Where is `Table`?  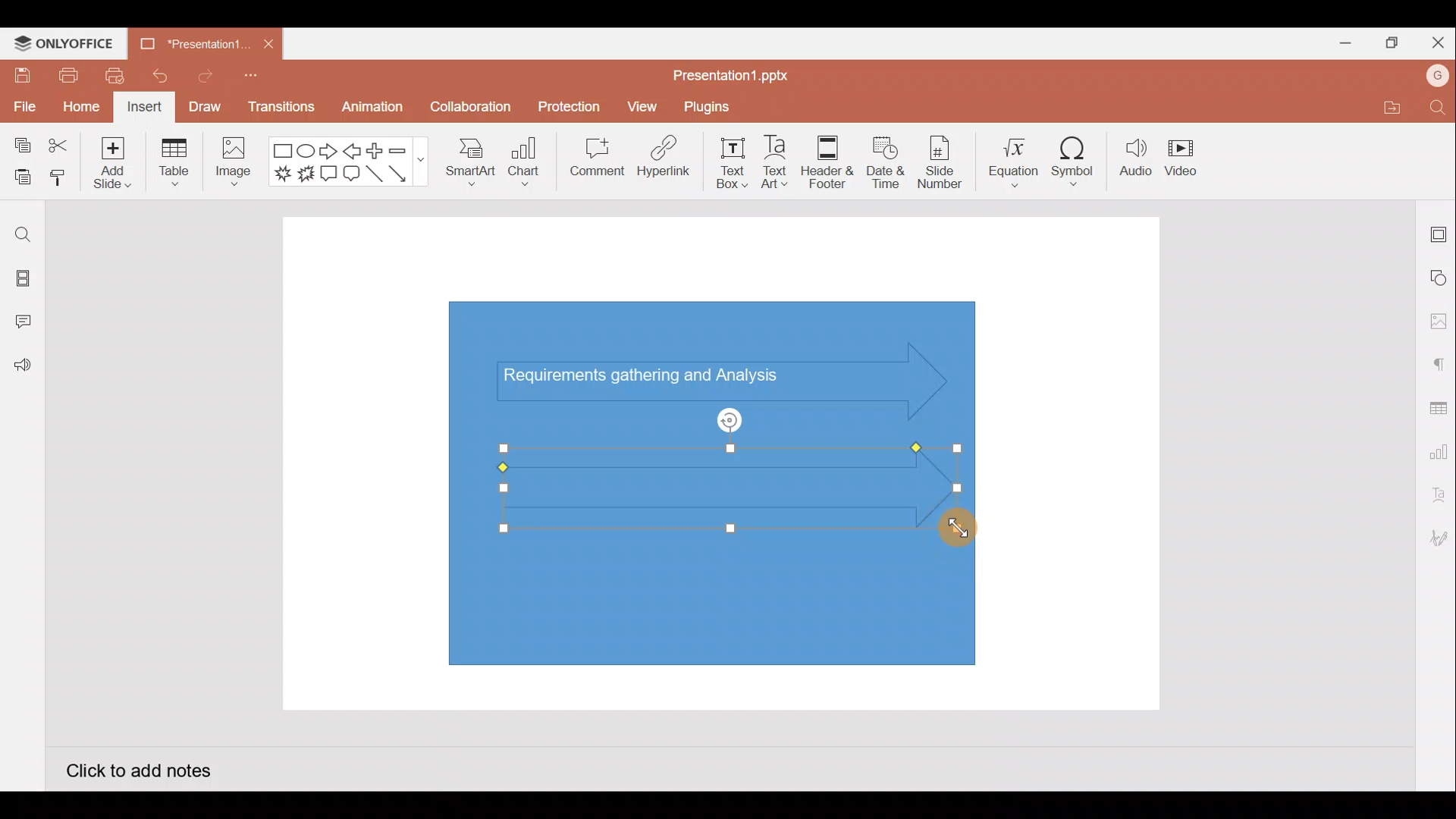 Table is located at coordinates (176, 164).